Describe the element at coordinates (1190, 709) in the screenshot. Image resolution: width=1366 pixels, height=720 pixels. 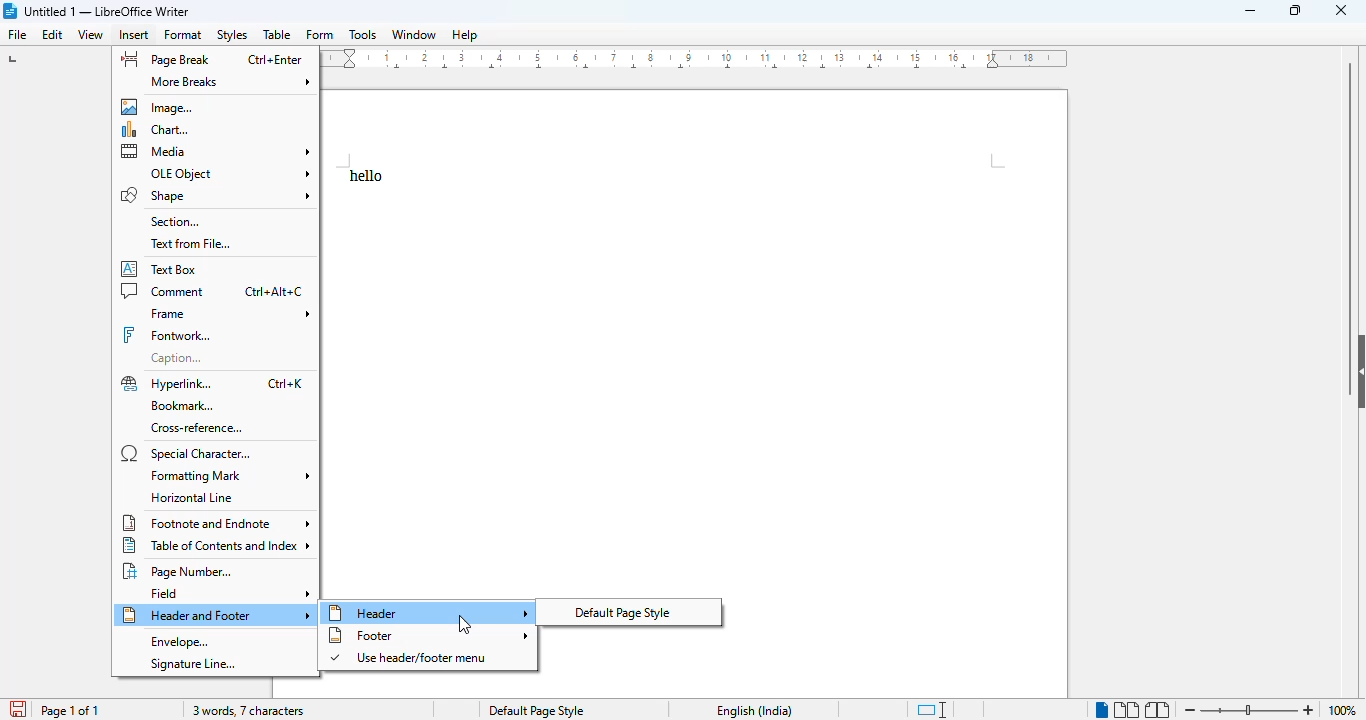
I see `zoom out` at that location.